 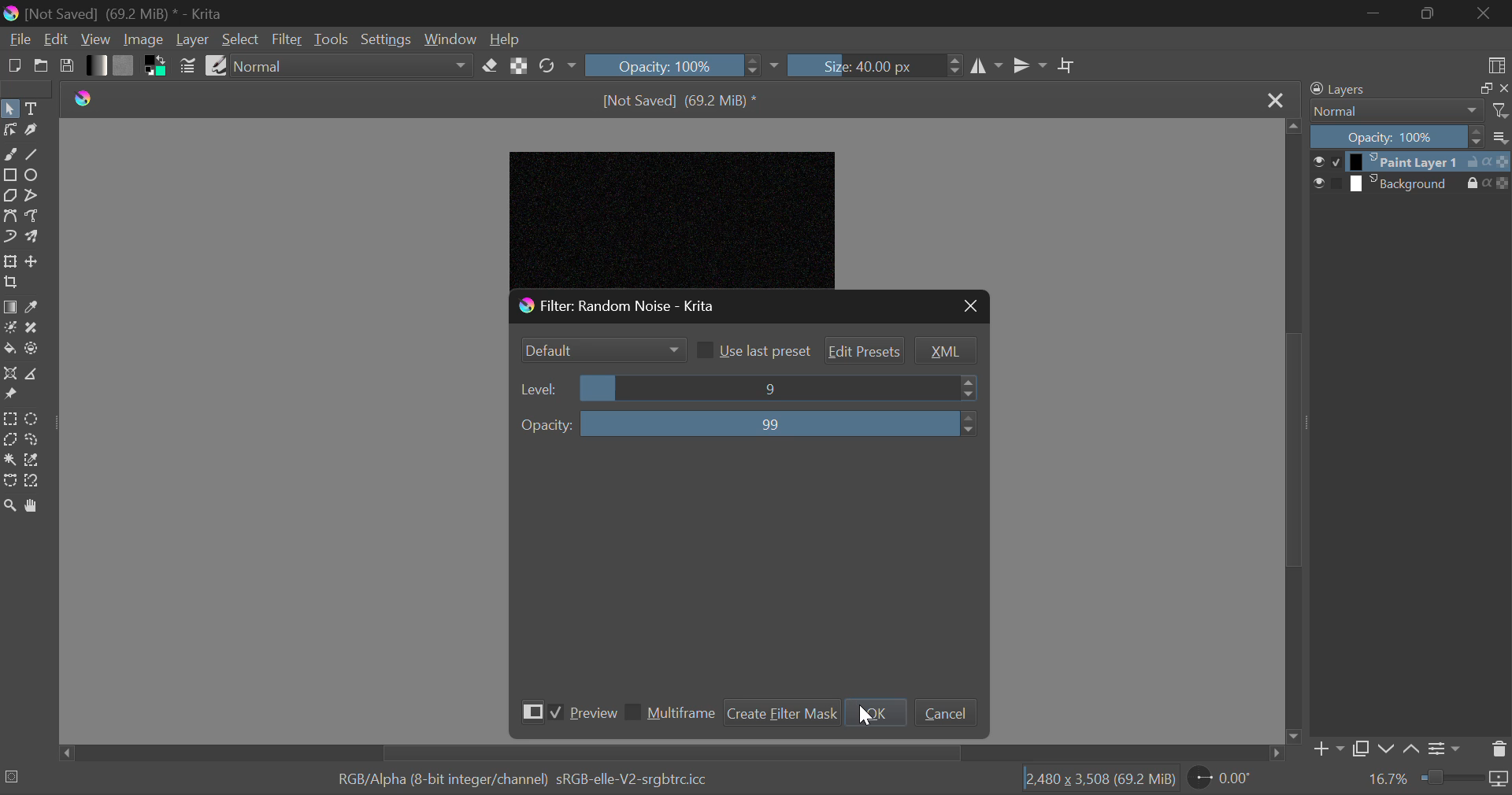 What do you see at coordinates (9, 307) in the screenshot?
I see `Gradient Fill` at bounding box center [9, 307].